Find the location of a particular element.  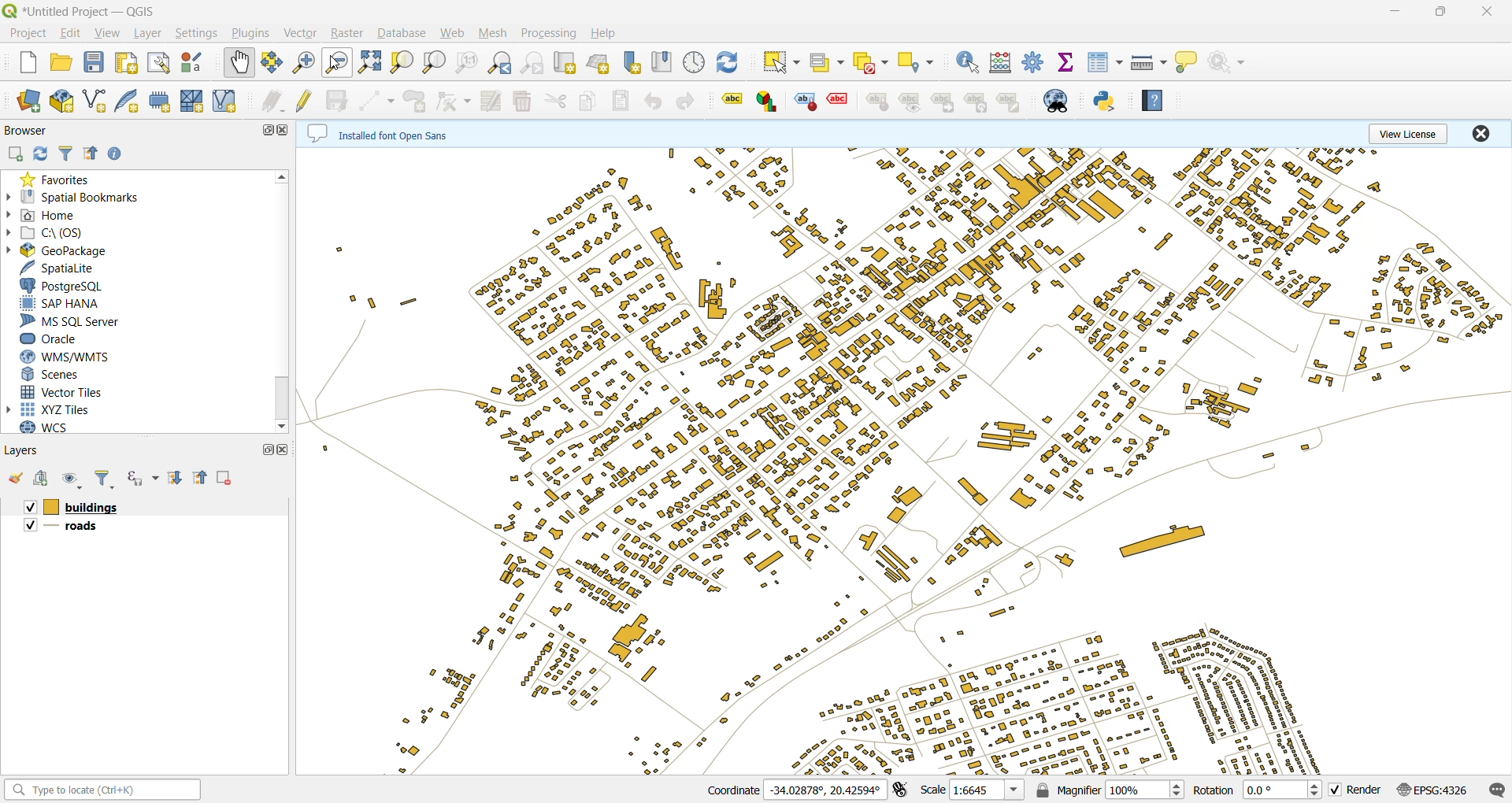

modify is located at coordinates (490, 102).